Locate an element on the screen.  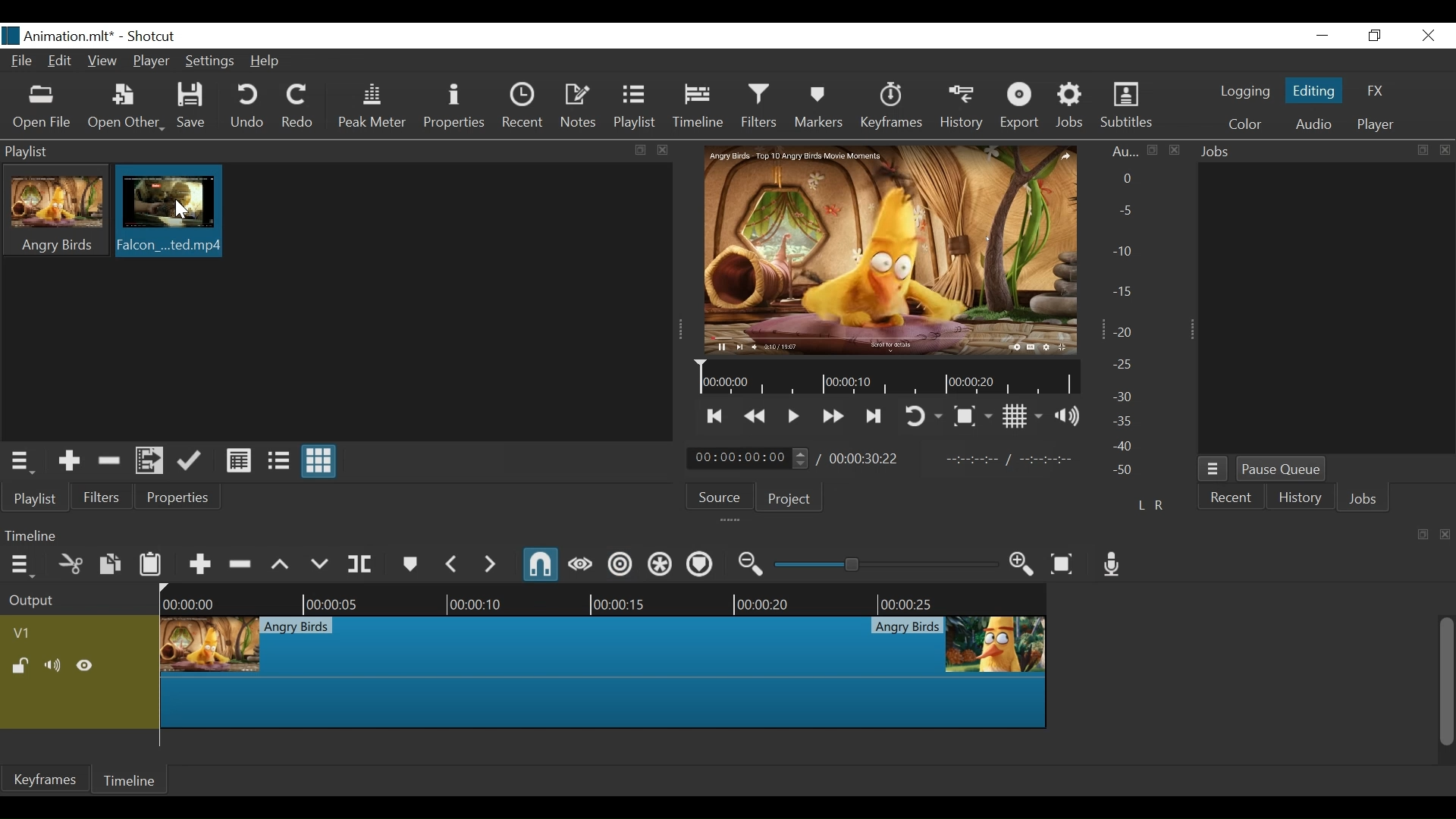
File is located at coordinates (21, 60).